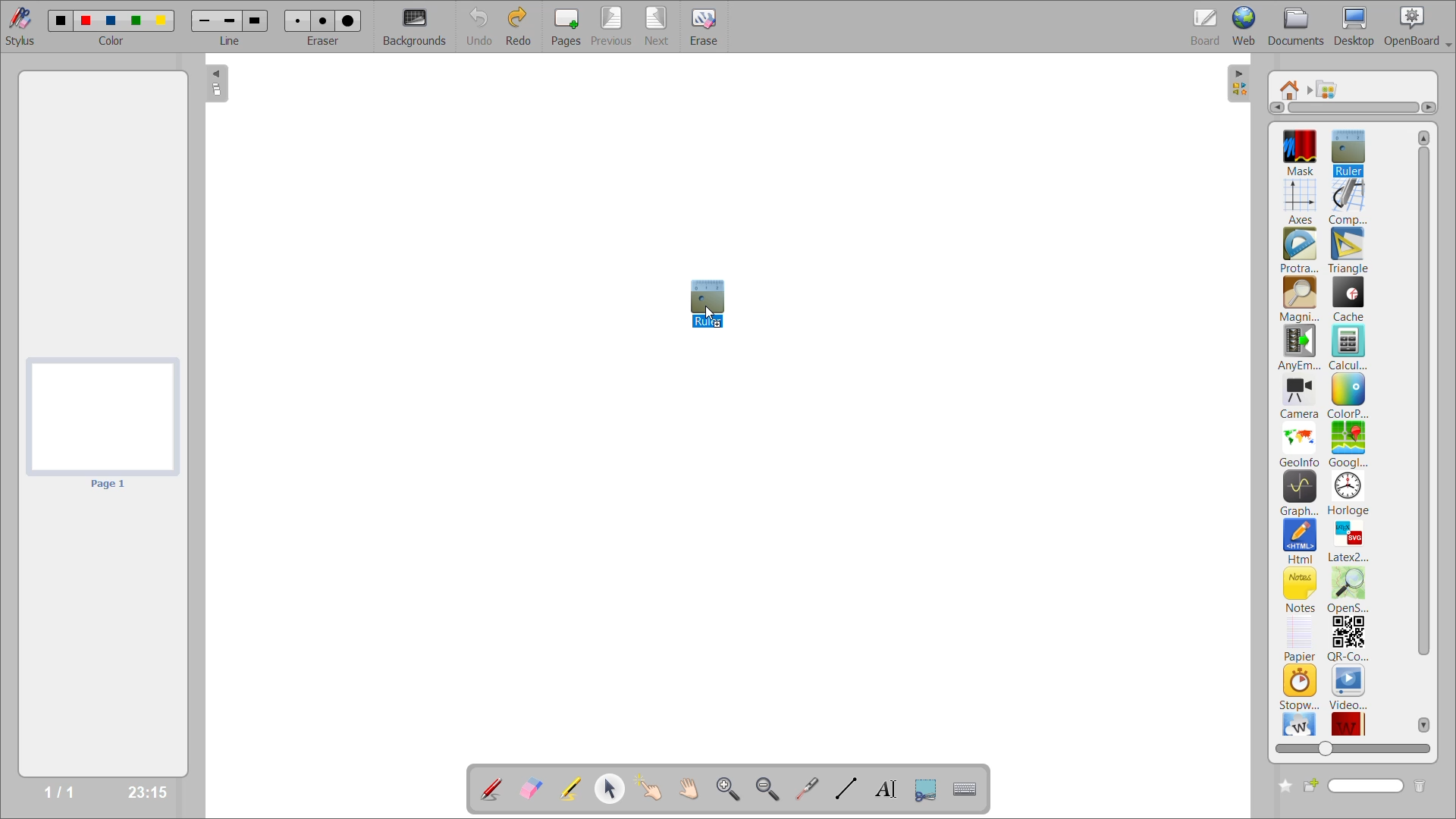 This screenshot has height=819, width=1456. Describe the element at coordinates (206, 22) in the screenshot. I see `line 1` at that location.